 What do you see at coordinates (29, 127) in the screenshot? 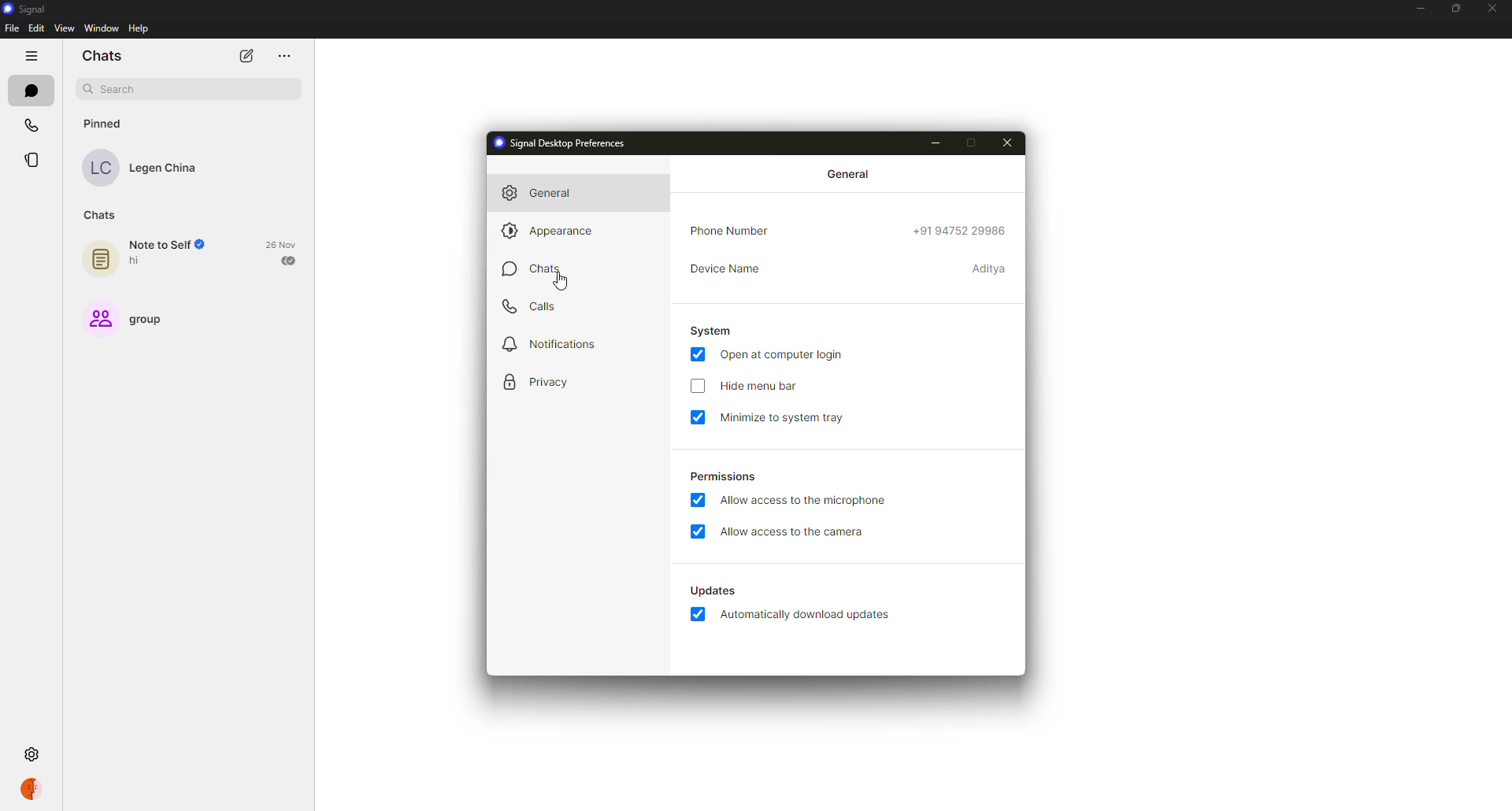
I see `calls` at bounding box center [29, 127].